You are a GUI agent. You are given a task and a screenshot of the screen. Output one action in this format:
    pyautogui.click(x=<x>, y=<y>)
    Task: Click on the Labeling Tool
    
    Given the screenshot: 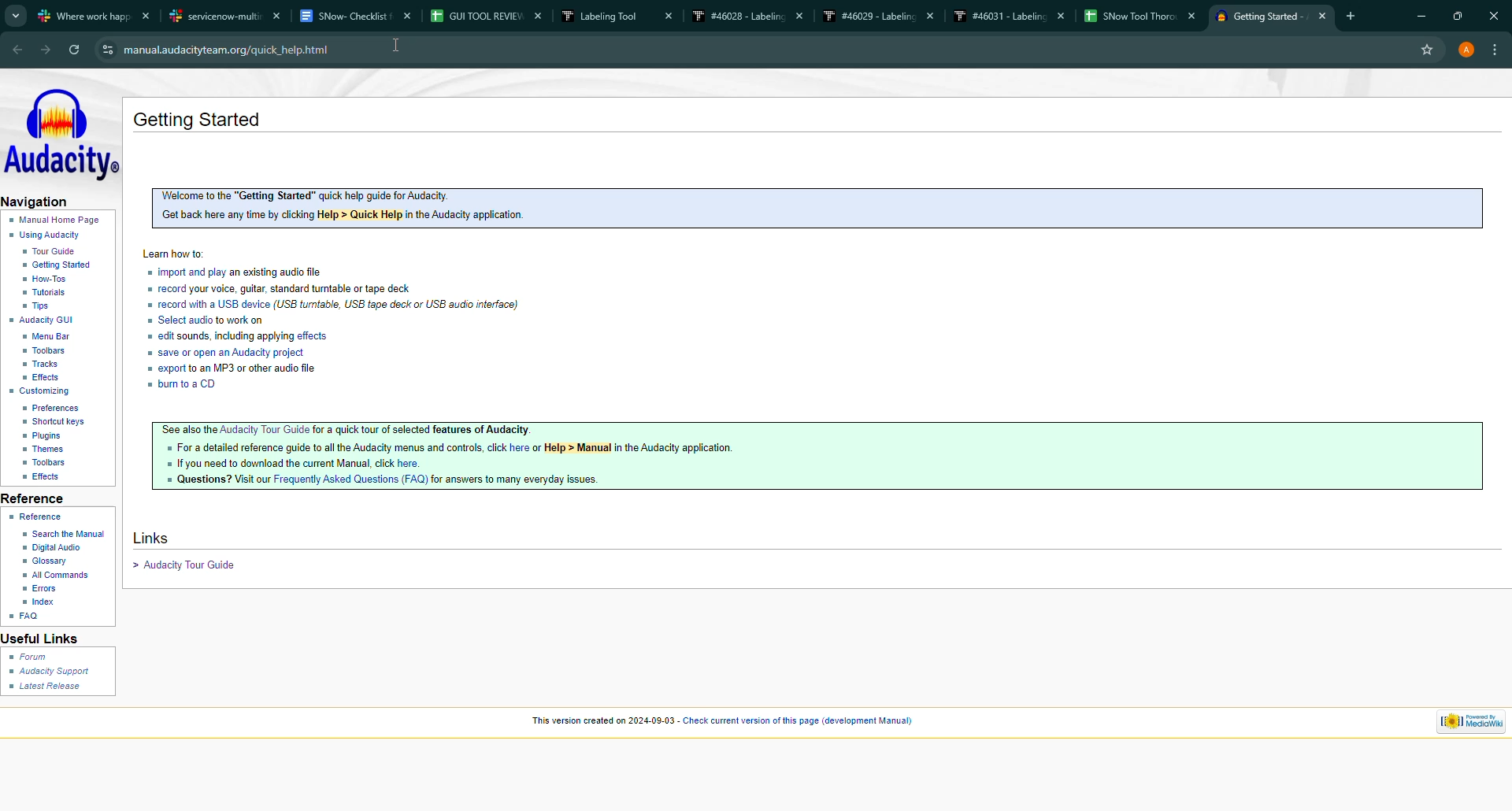 What is the action you would take?
    pyautogui.click(x=618, y=16)
    